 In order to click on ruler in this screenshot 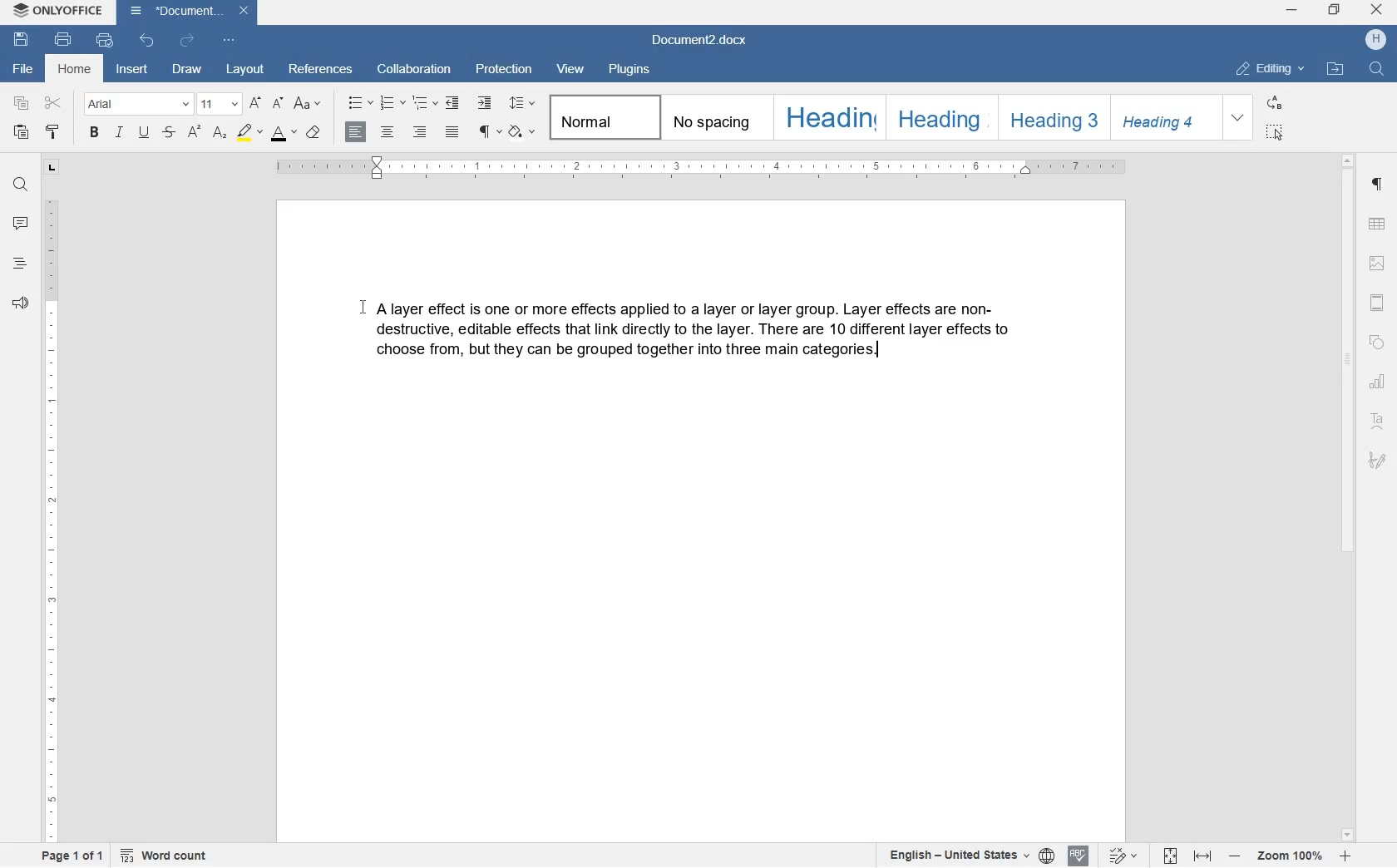, I will do `click(51, 516)`.